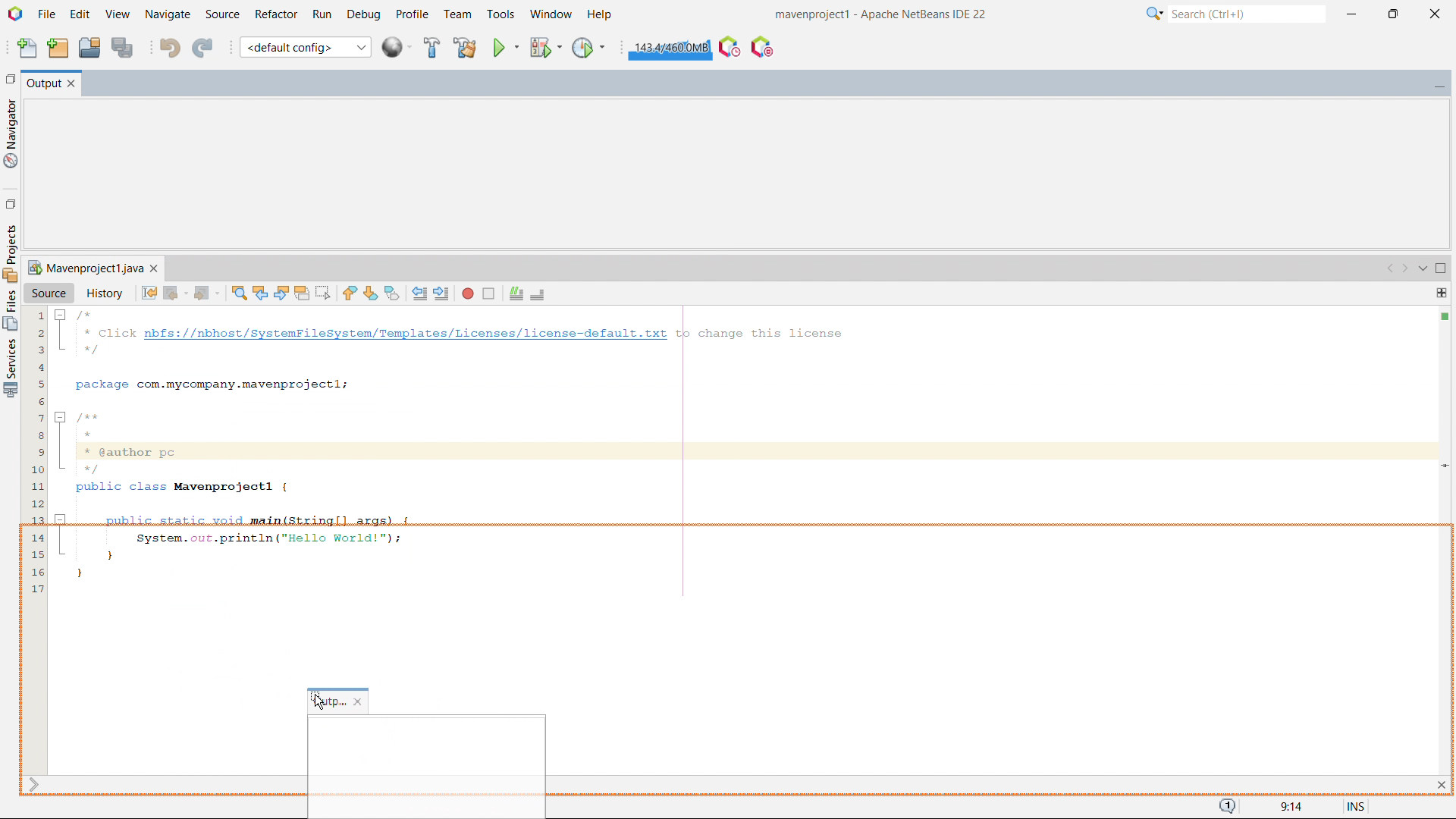 The height and width of the screenshot is (819, 1456). I want to click on 9:14, so click(1288, 807).